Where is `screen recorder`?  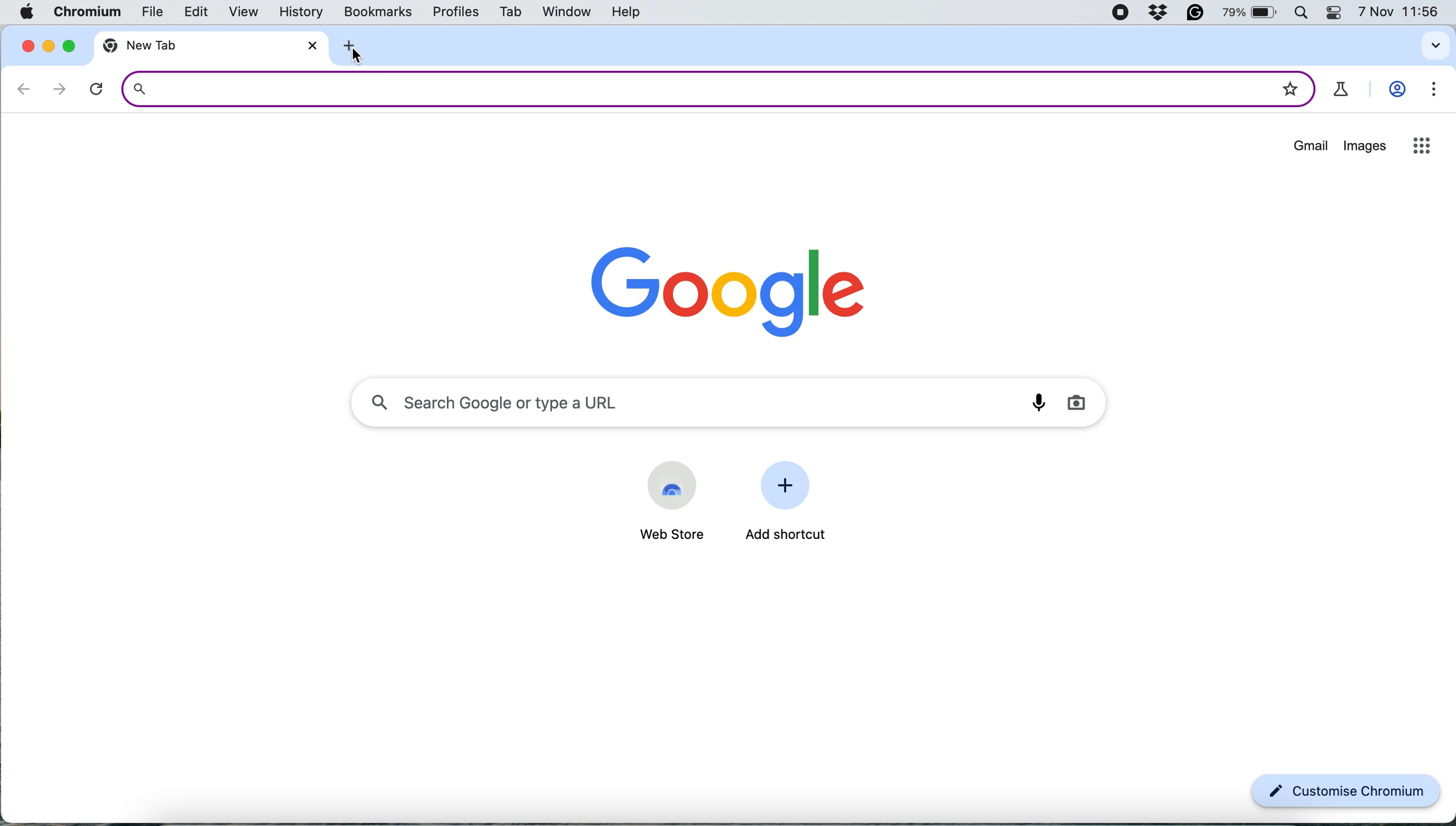
screen recorder is located at coordinates (1120, 14).